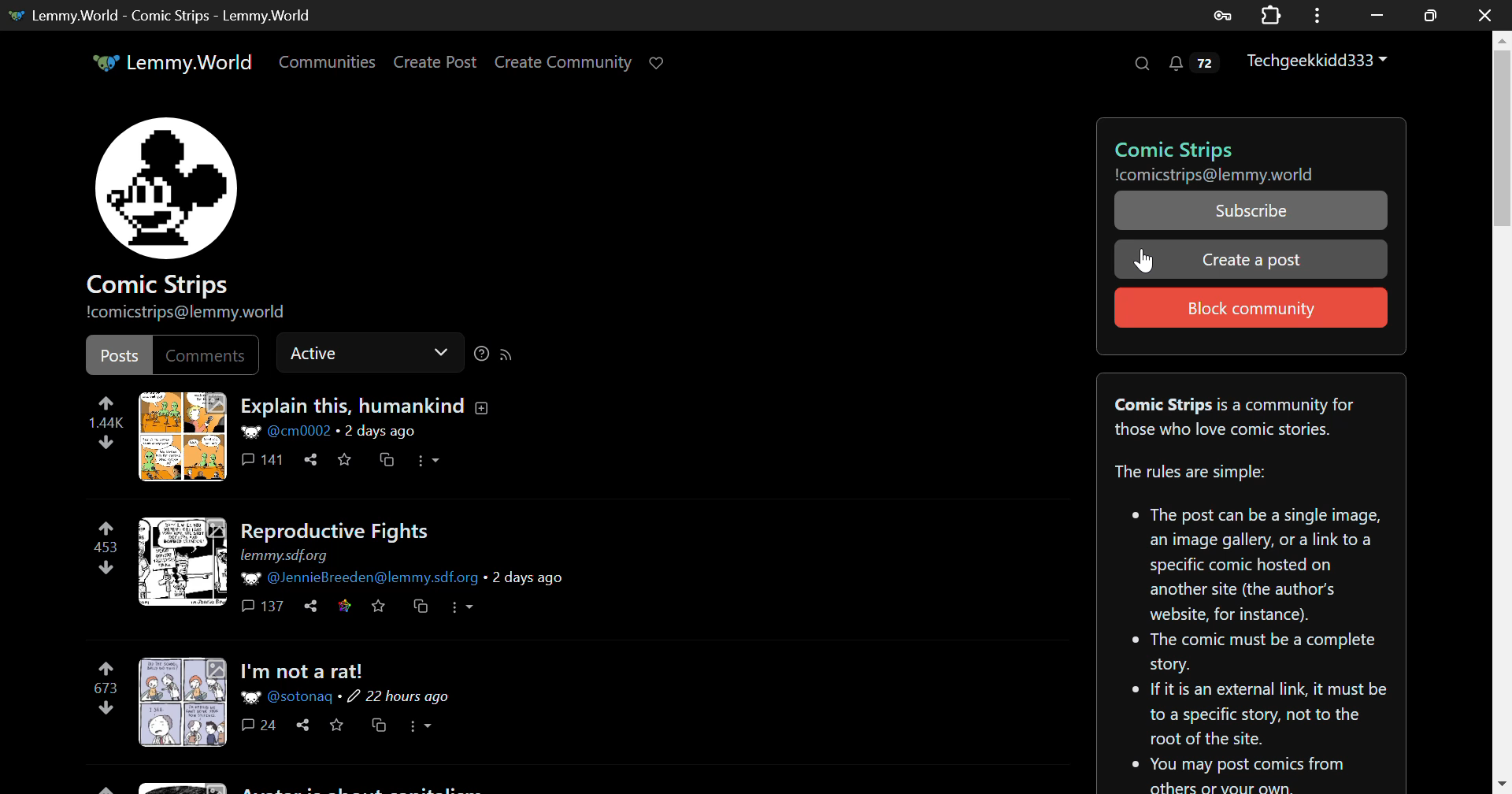 The height and width of the screenshot is (794, 1512). What do you see at coordinates (381, 607) in the screenshot?
I see `Save` at bounding box center [381, 607].